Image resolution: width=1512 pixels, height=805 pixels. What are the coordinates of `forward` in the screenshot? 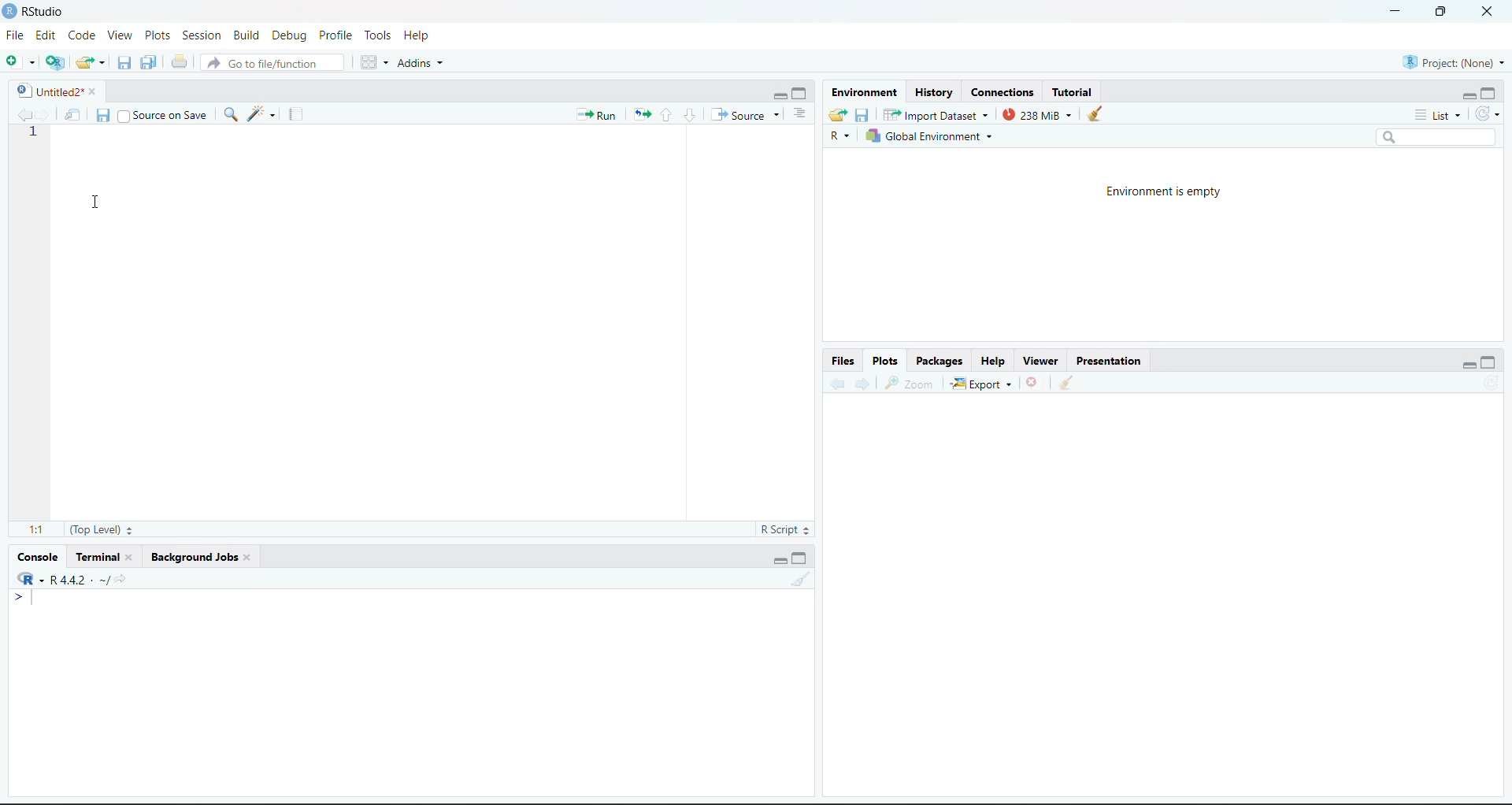 It's located at (44, 114).